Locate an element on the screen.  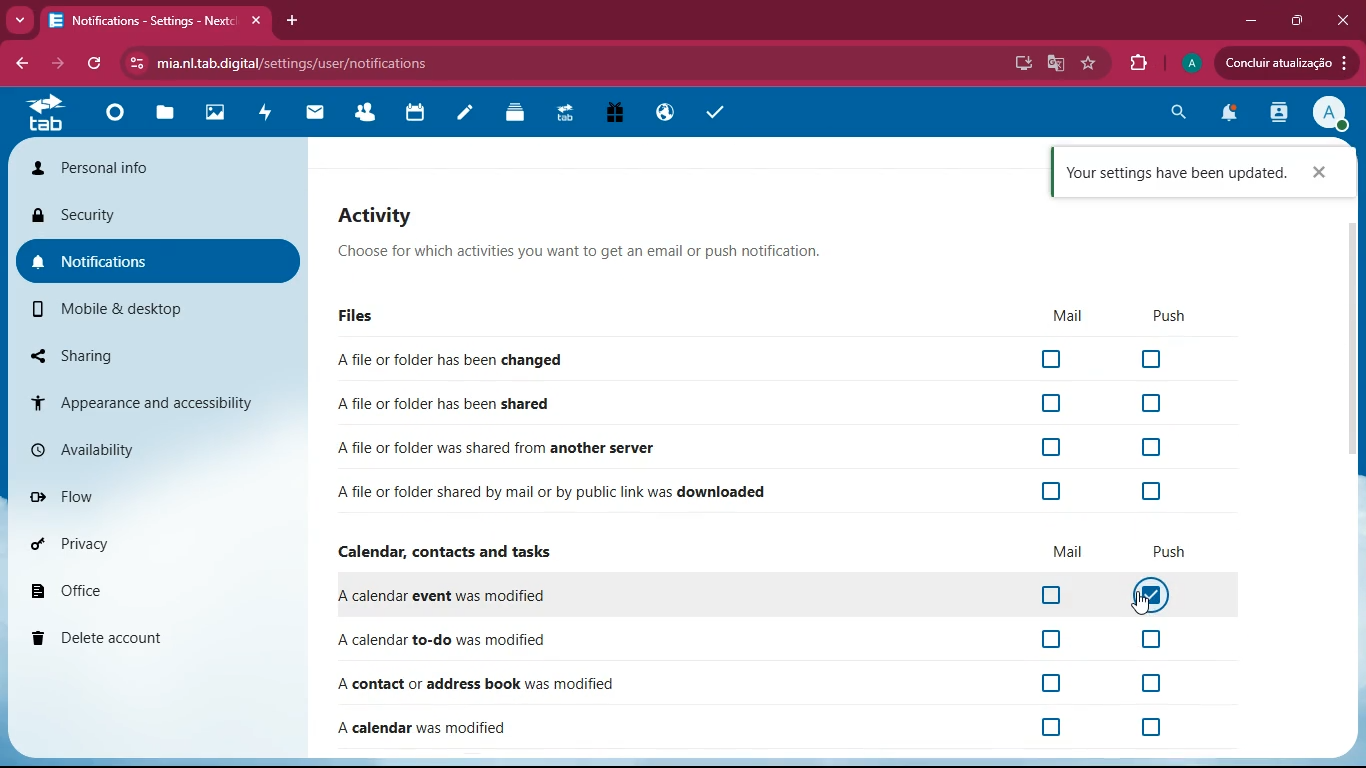
favourite is located at coordinates (1090, 63).